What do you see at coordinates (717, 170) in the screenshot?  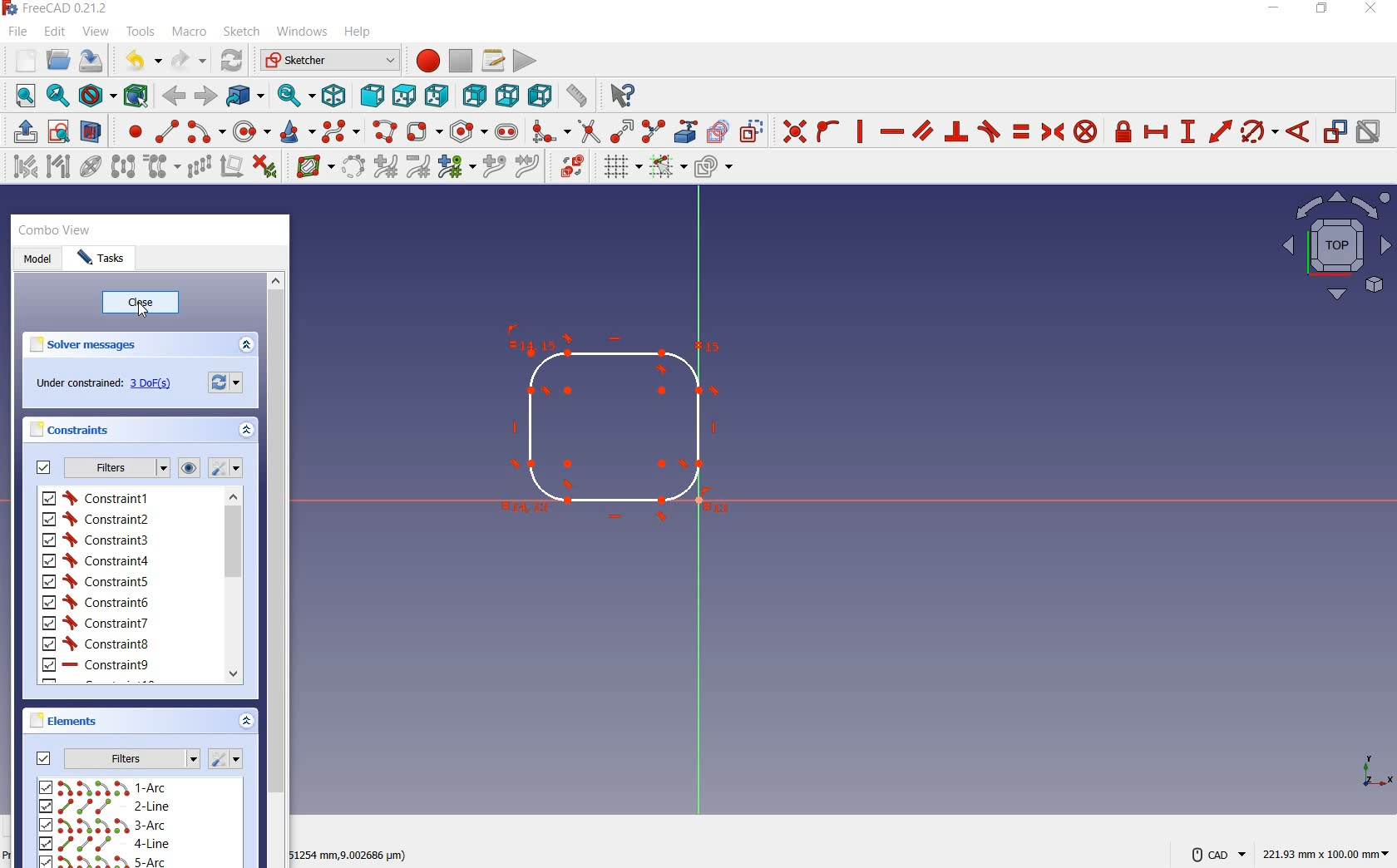 I see `configure rendering order` at bounding box center [717, 170].